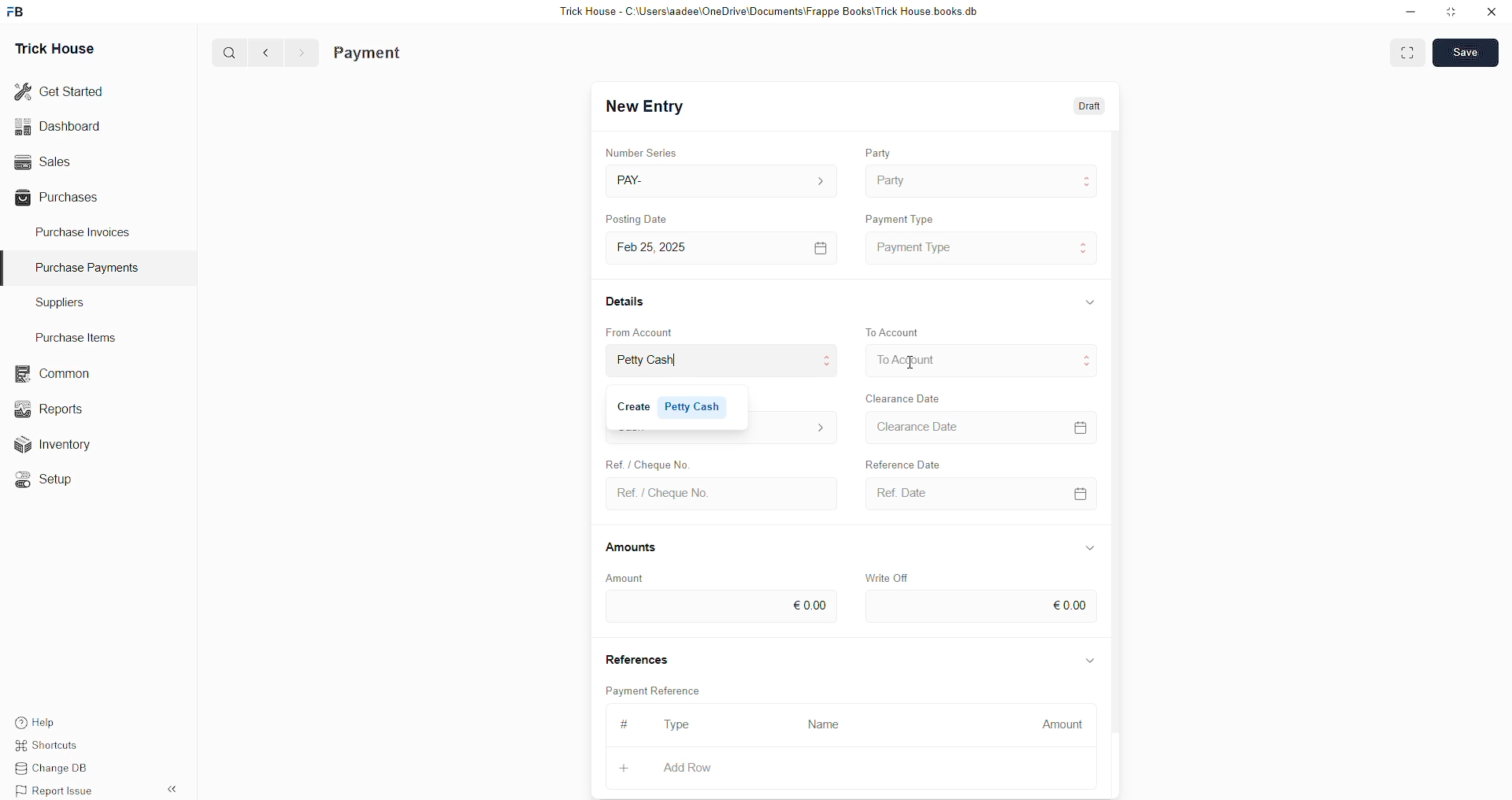 This screenshot has width=1512, height=800. What do you see at coordinates (18, 10) in the screenshot?
I see `FB` at bounding box center [18, 10].